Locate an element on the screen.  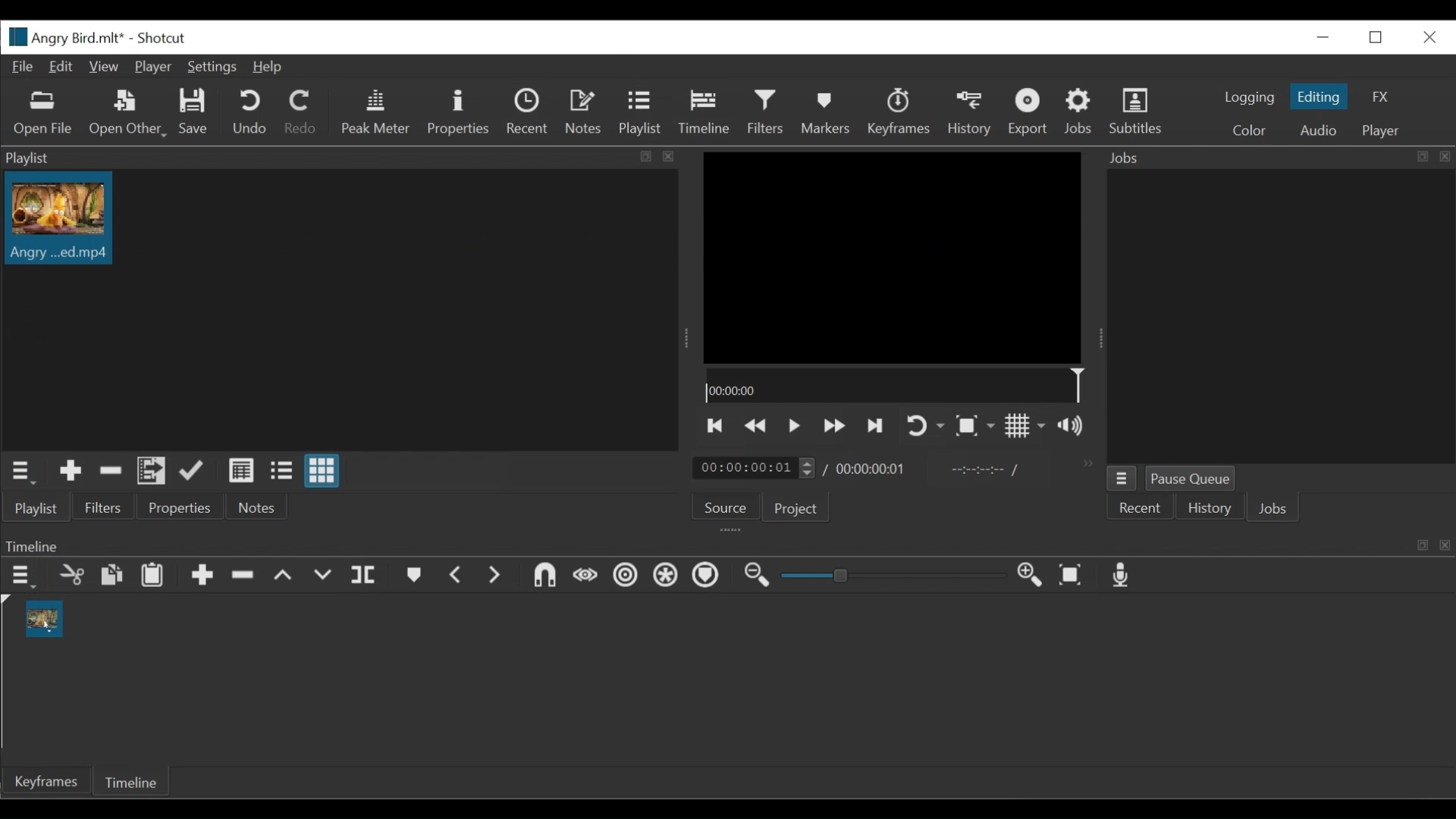
Clip is located at coordinates (58, 219).